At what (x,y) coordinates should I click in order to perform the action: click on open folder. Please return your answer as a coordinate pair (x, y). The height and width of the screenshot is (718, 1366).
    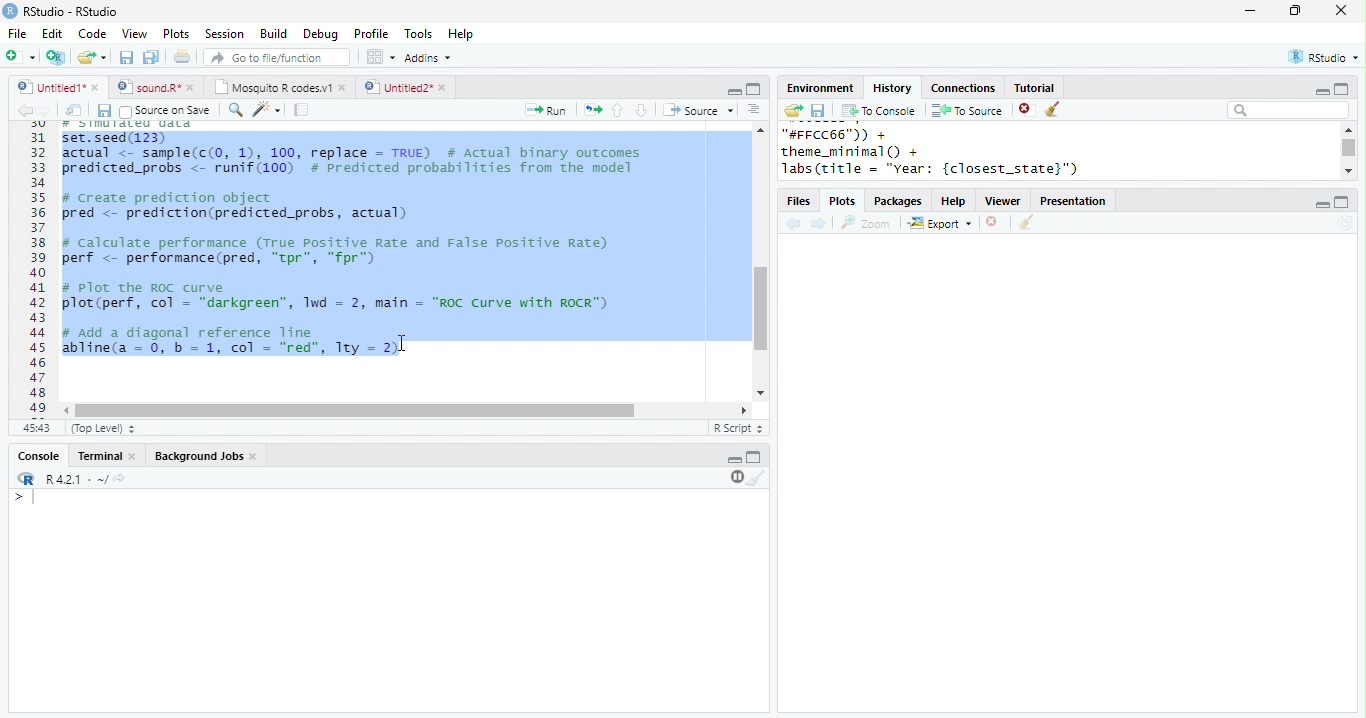
    Looking at the image, I should click on (792, 110).